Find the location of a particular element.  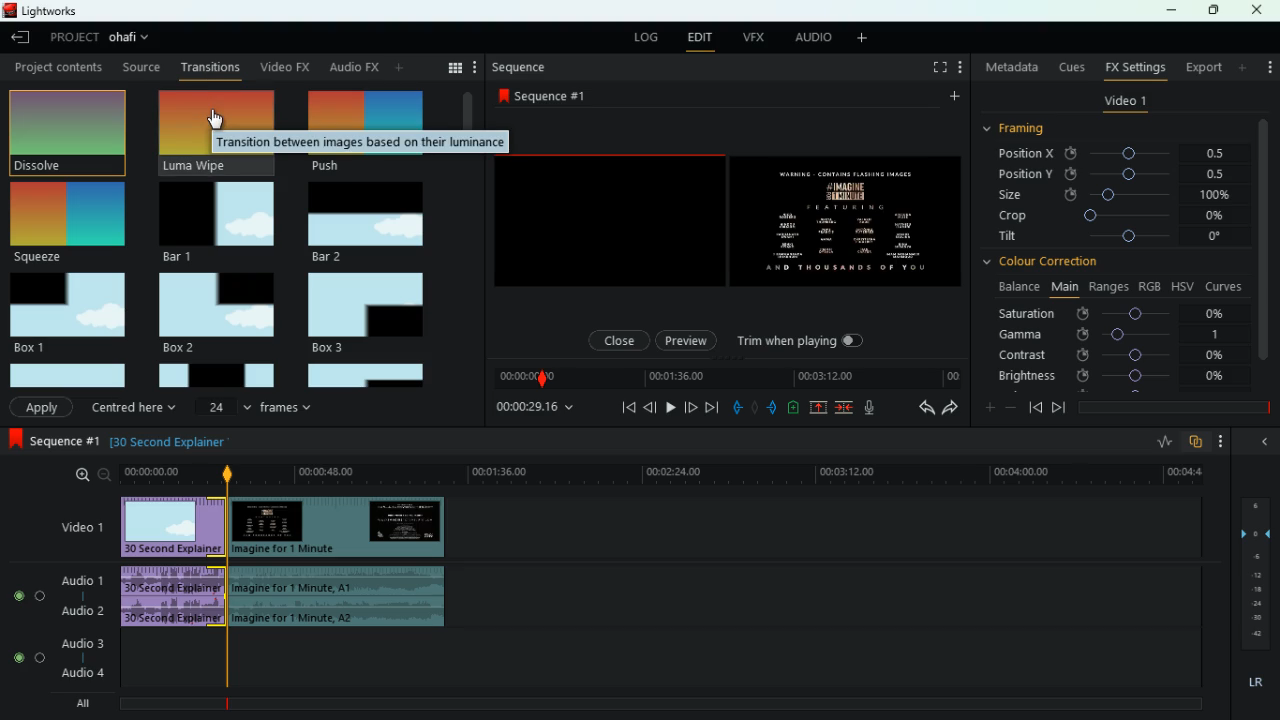

dissolve is located at coordinates (69, 133).